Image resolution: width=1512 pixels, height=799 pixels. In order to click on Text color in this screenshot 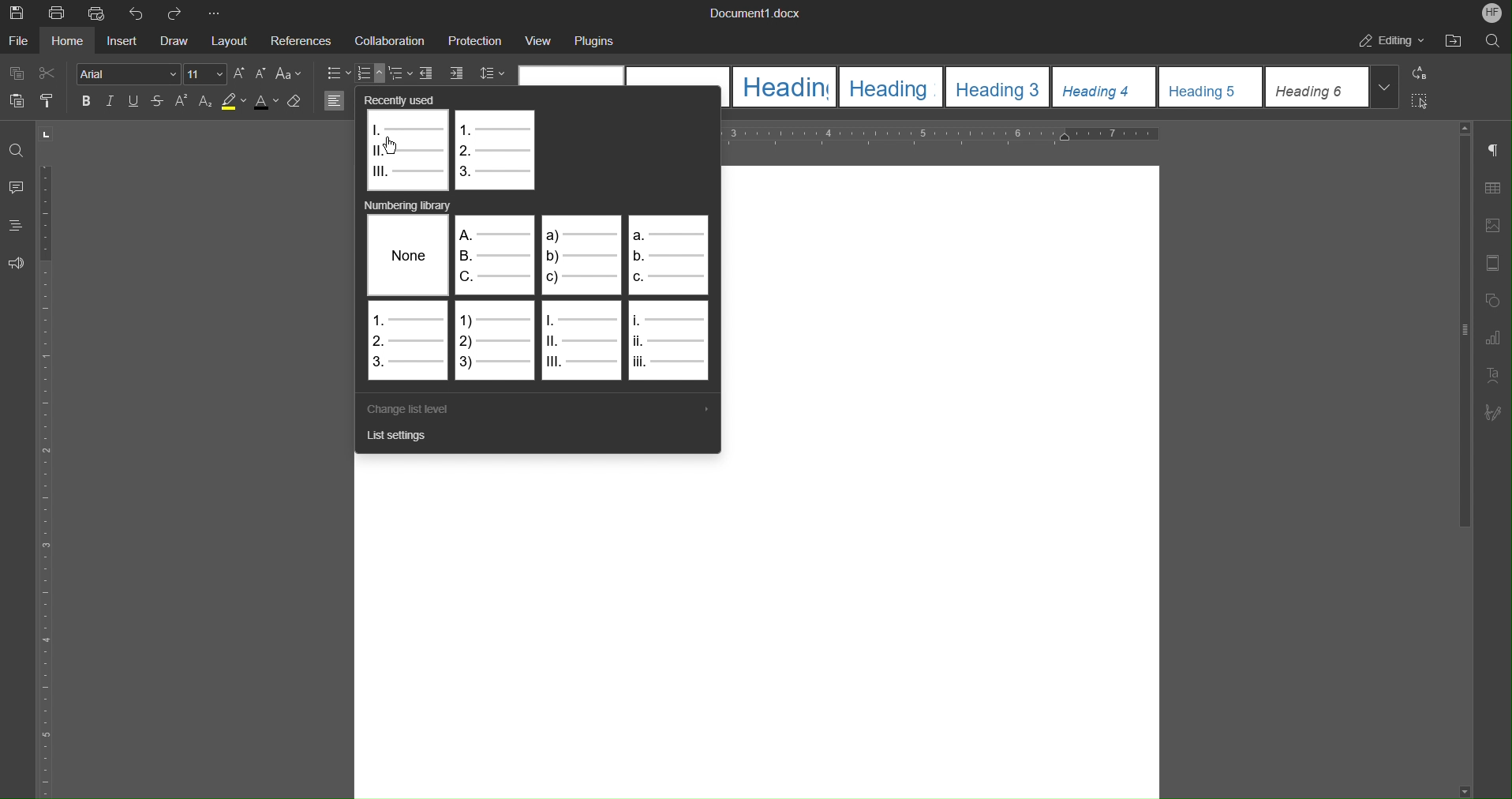, I will do `click(266, 103)`.